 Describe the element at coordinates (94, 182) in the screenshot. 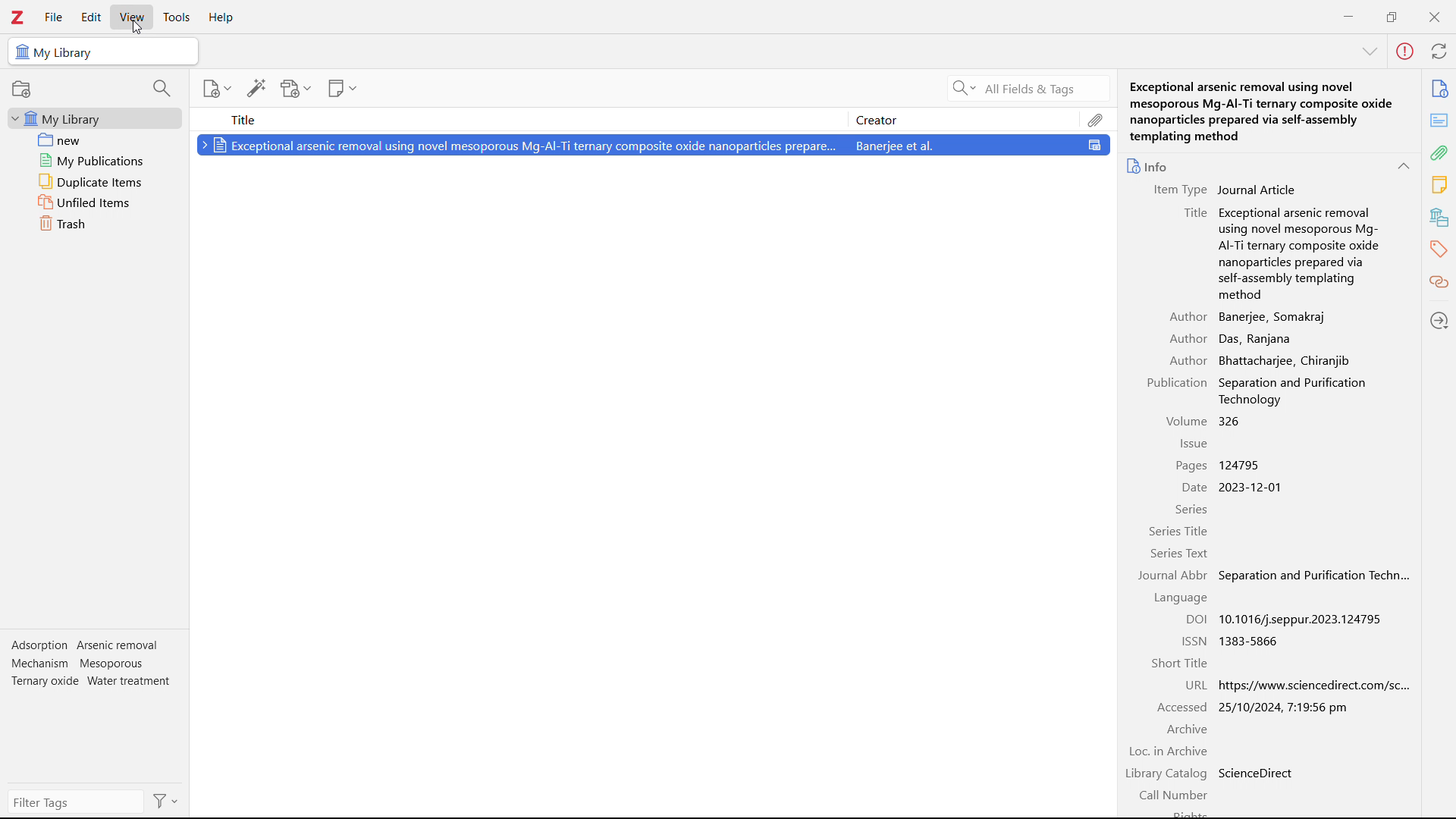

I see `duplicate items` at that location.